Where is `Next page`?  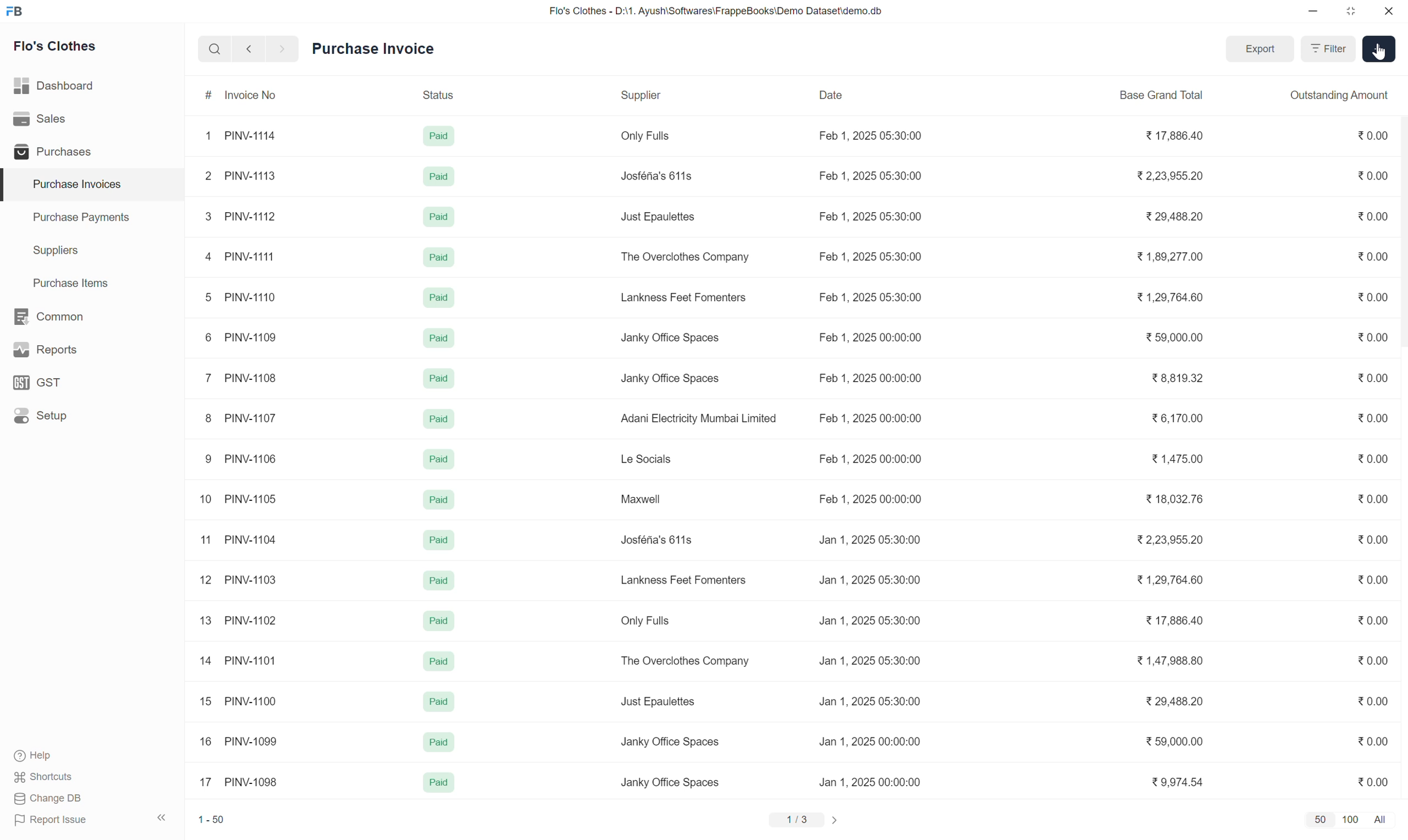 Next page is located at coordinates (833, 820).